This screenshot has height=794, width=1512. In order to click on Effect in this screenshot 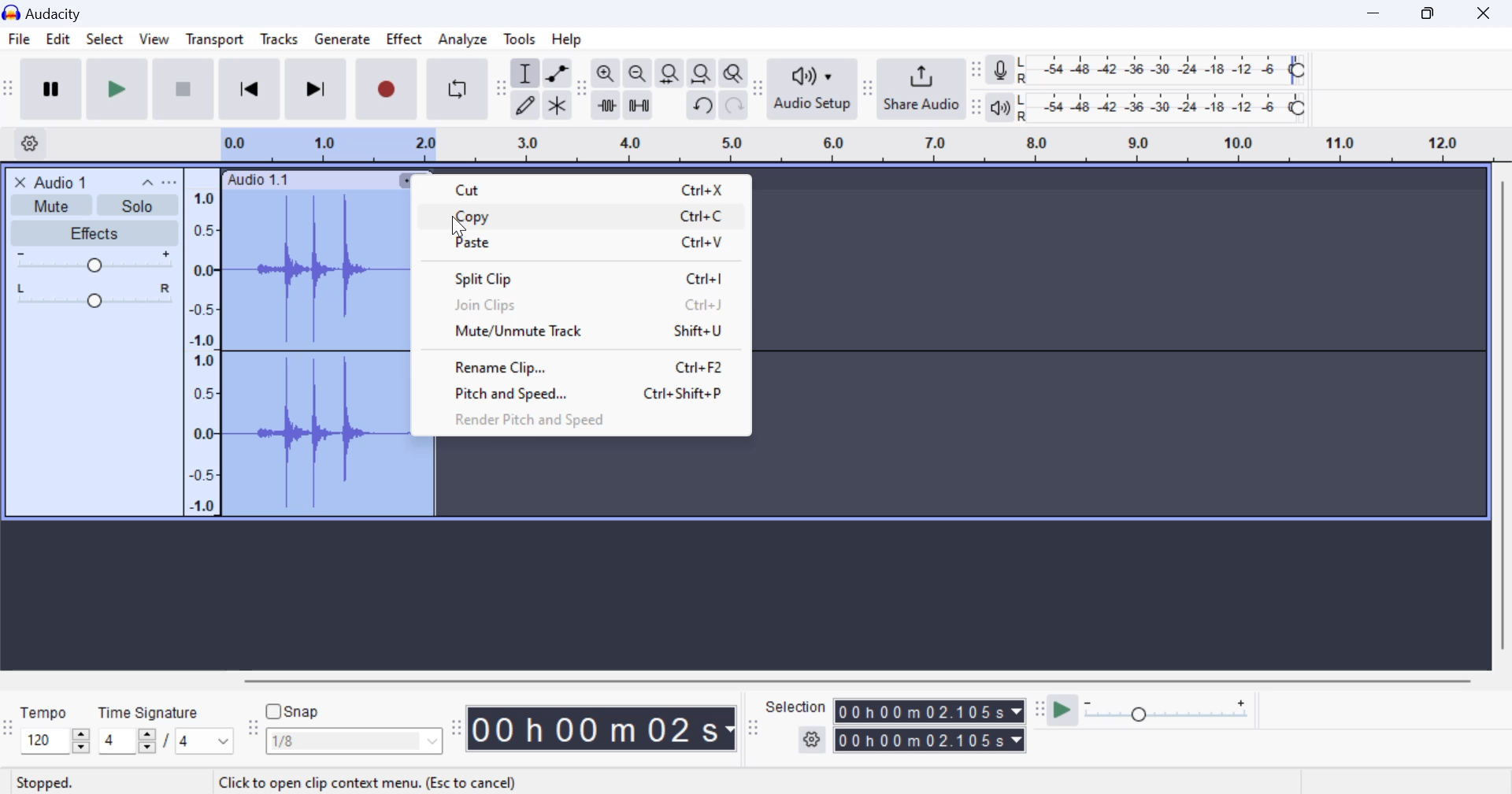, I will do `click(405, 42)`.